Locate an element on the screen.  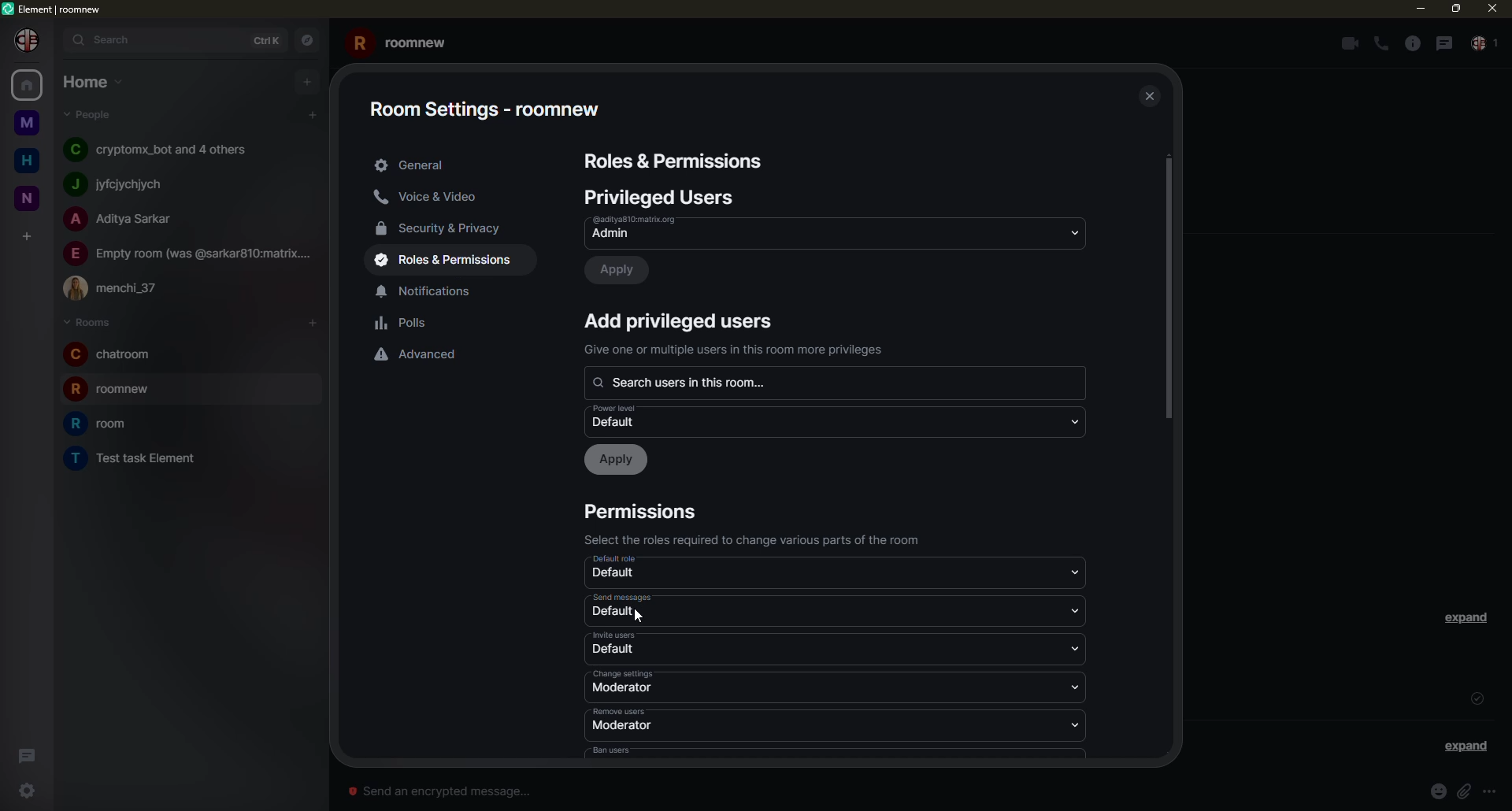
scroll is located at coordinates (1169, 291).